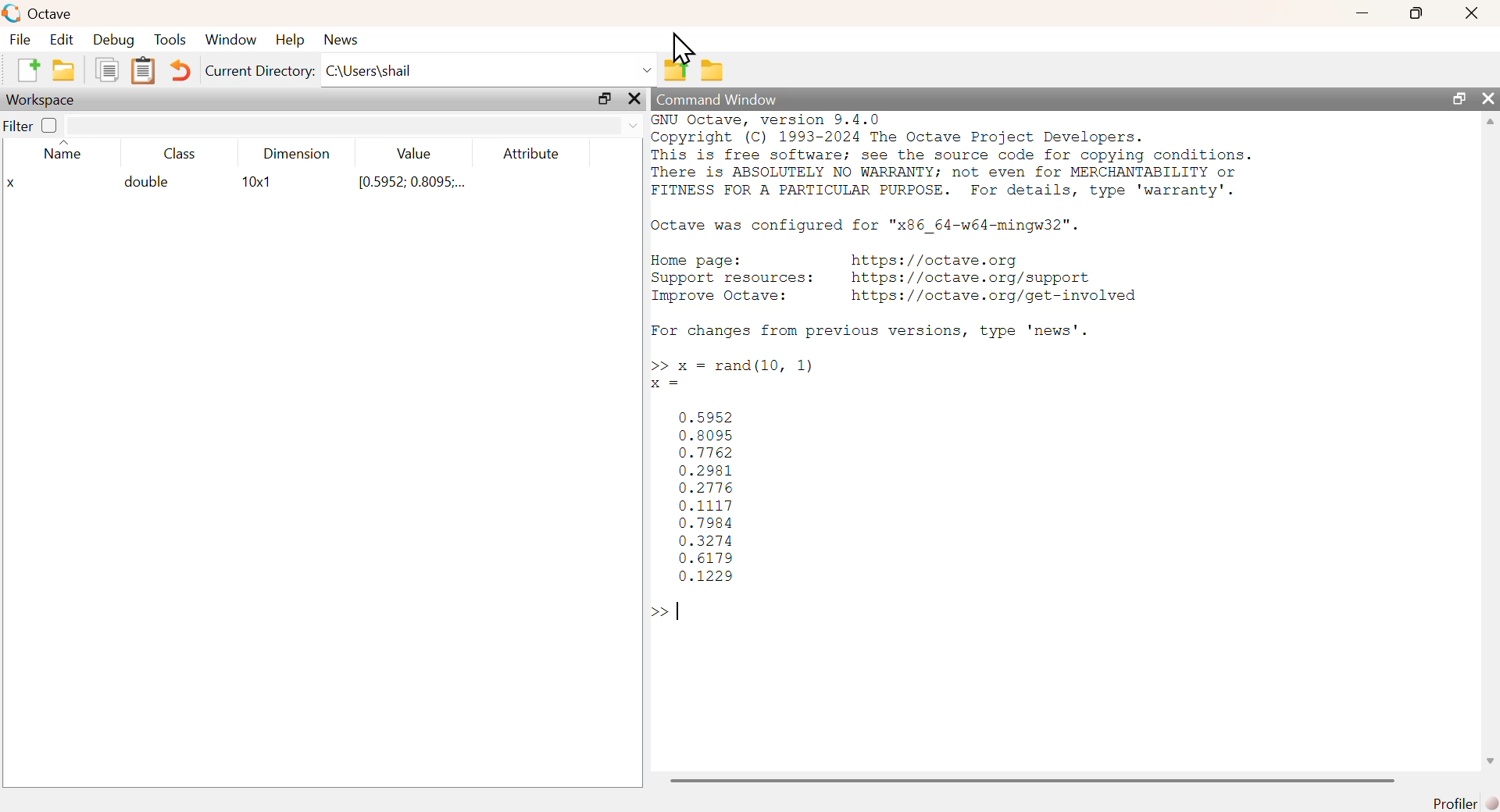 The width and height of the screenshot is (1500, 812). What do you see at coordinates (1491, 100) in the screenshot?
I see `close` at bounding box center [1491, 100].